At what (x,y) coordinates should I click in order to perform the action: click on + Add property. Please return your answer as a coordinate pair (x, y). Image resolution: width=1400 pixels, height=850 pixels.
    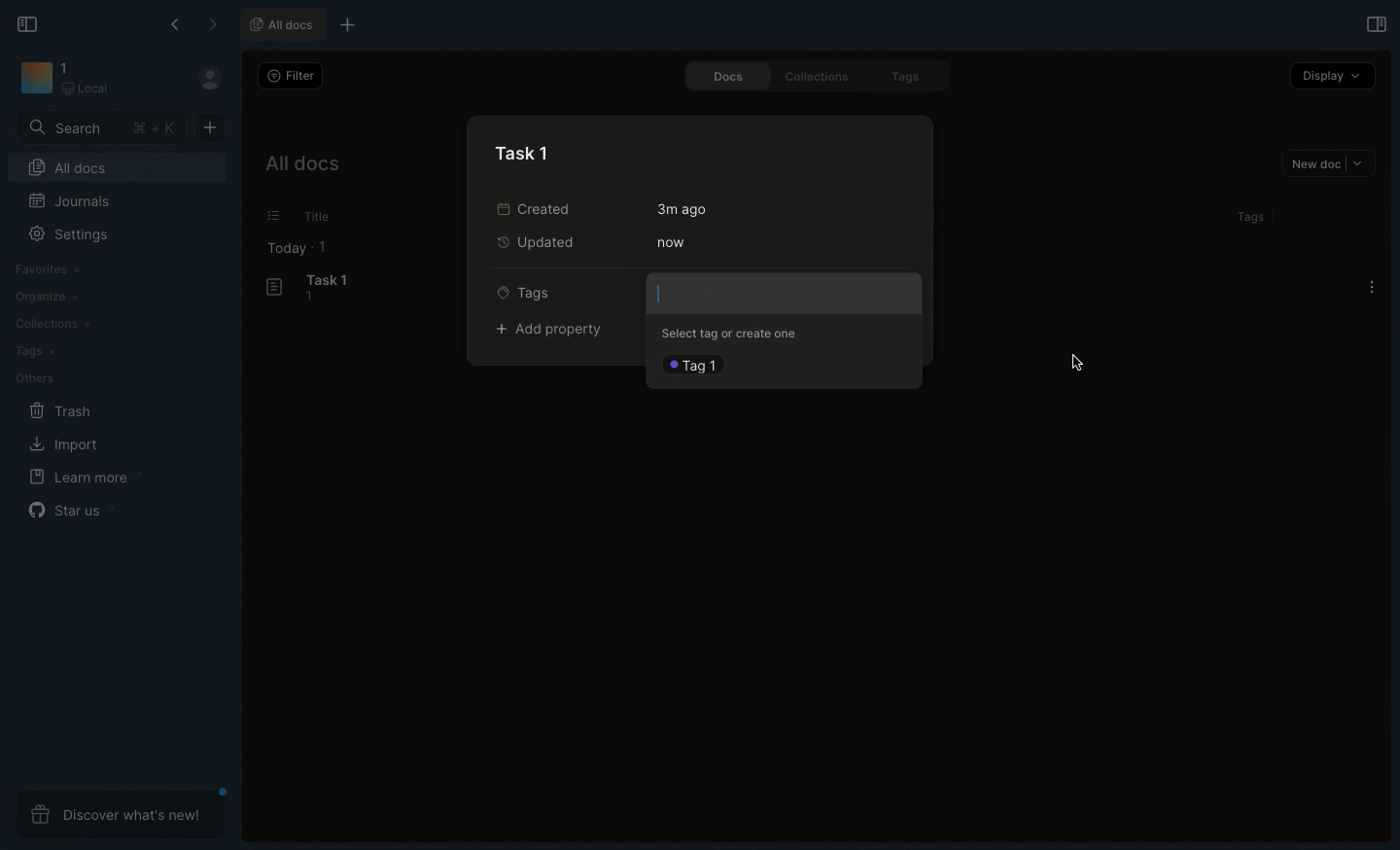
    Looking at the image, I should click on (557, 331).